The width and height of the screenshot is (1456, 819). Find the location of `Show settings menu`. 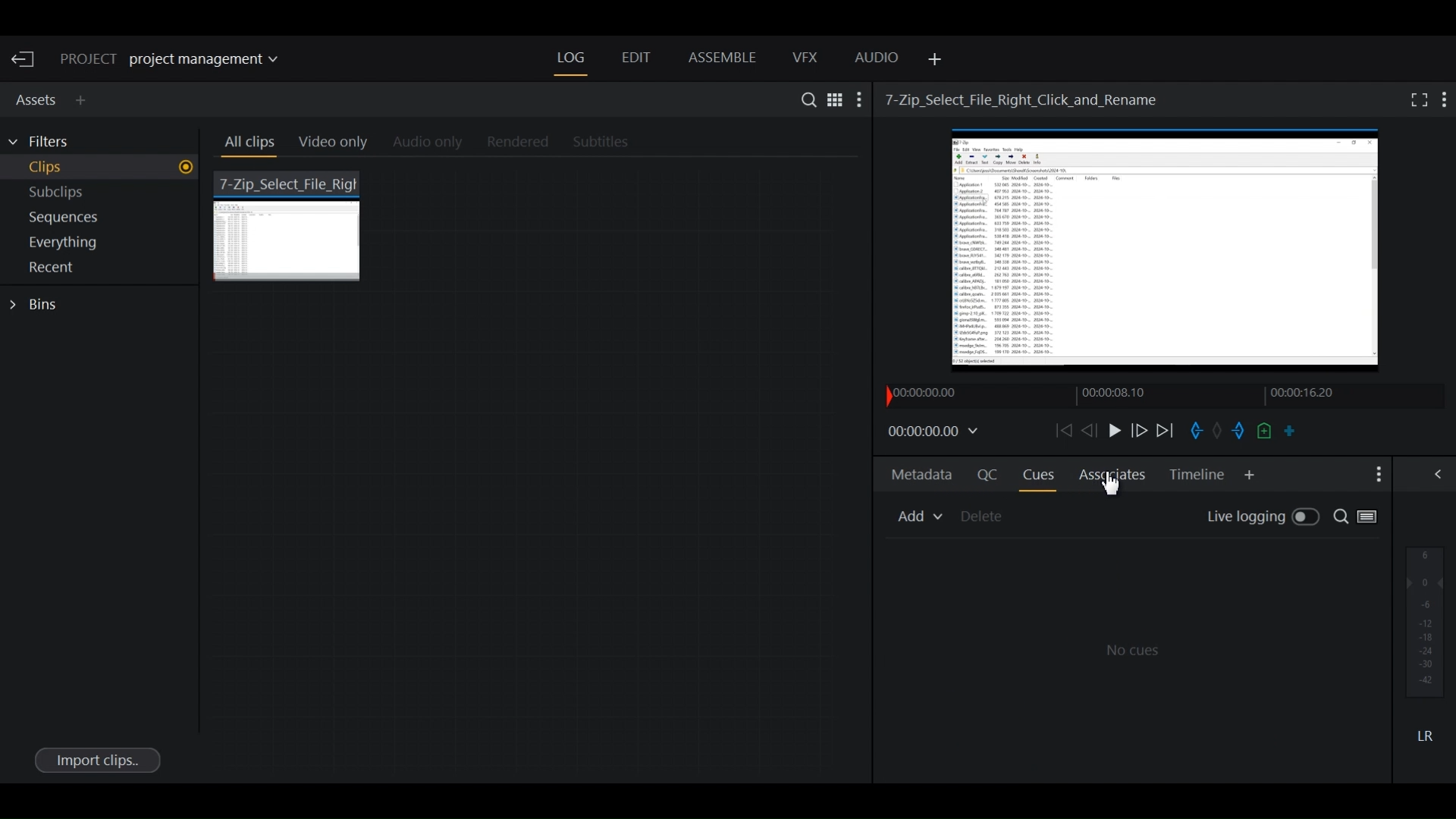

Show settings menu is located at coordinates (861, 99).